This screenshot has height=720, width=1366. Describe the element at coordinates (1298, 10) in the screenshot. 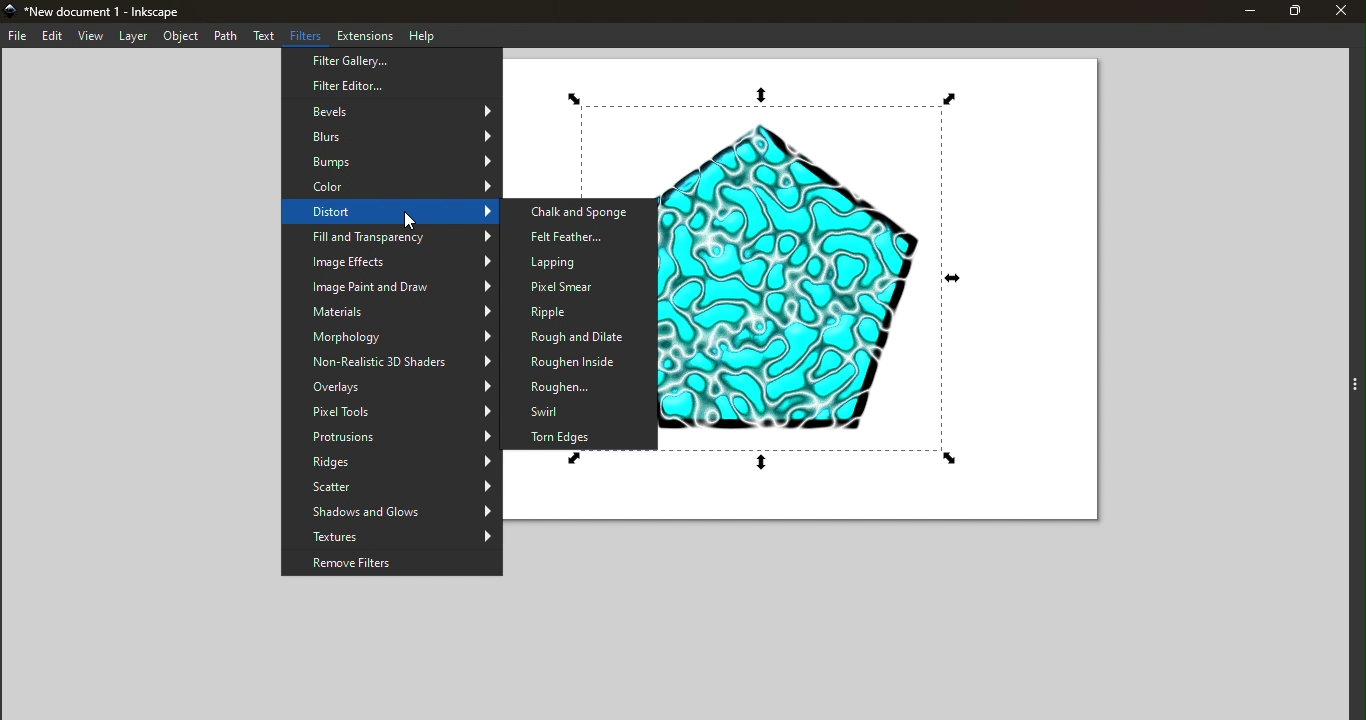

I see `Maximize` at that location.